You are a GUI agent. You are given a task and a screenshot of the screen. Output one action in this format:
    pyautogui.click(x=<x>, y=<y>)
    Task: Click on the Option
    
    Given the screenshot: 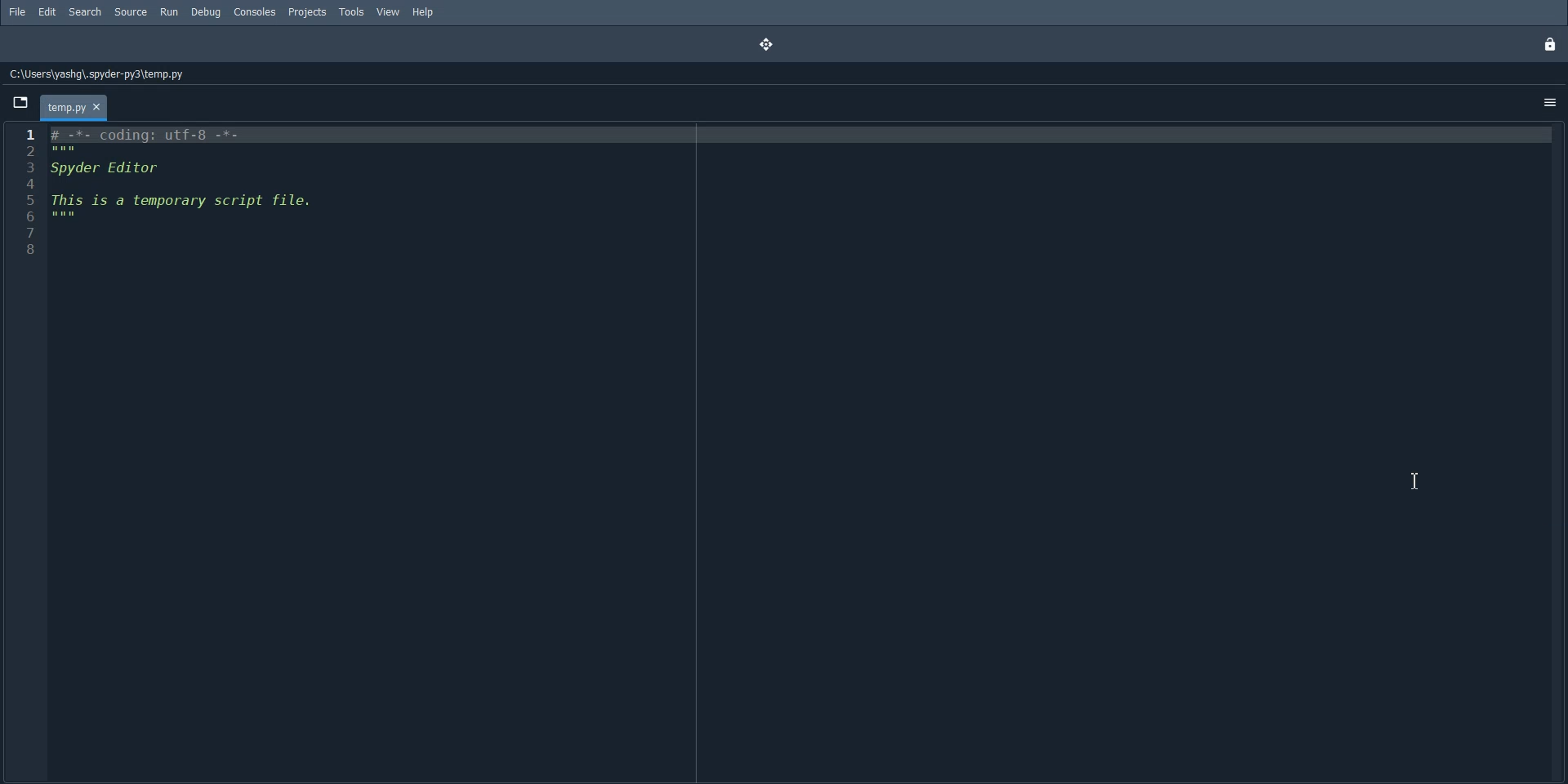 What is the action you would take?
    pyautogui.click(x=1549, y=101)
    